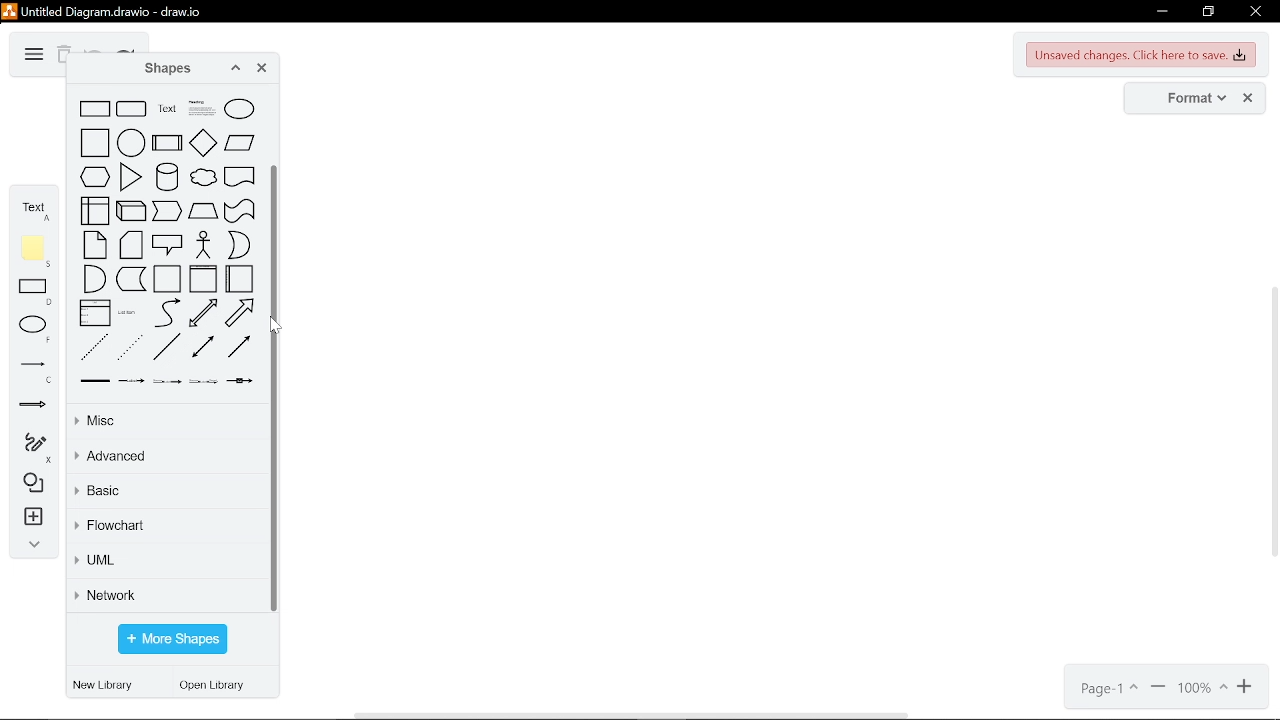 The image size is (1280, 720). I want to click on delete, so click(63, 56).